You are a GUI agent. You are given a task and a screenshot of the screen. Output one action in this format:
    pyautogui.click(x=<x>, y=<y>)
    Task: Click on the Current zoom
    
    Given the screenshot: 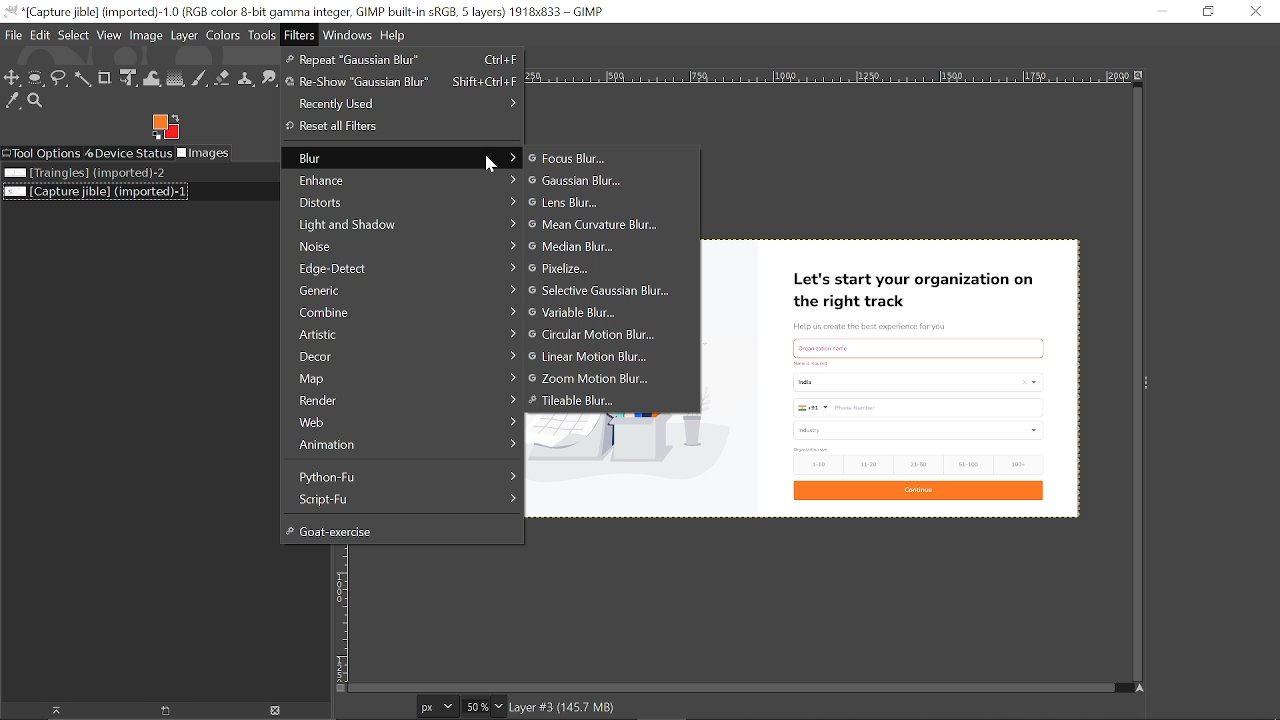 What is the action you would take?
    pyautogui.click(x=500, y=708)
    